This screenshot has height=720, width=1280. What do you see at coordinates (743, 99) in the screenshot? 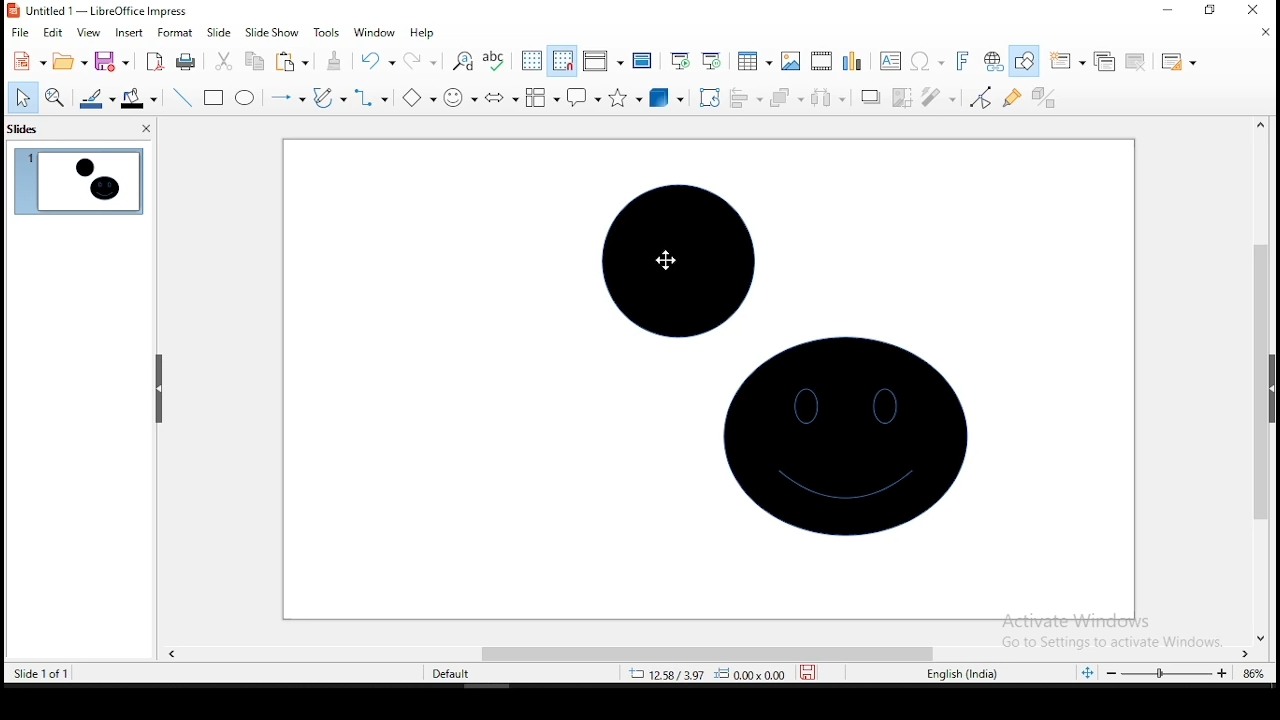
I see `align objects` at bounding box center [743, 99].